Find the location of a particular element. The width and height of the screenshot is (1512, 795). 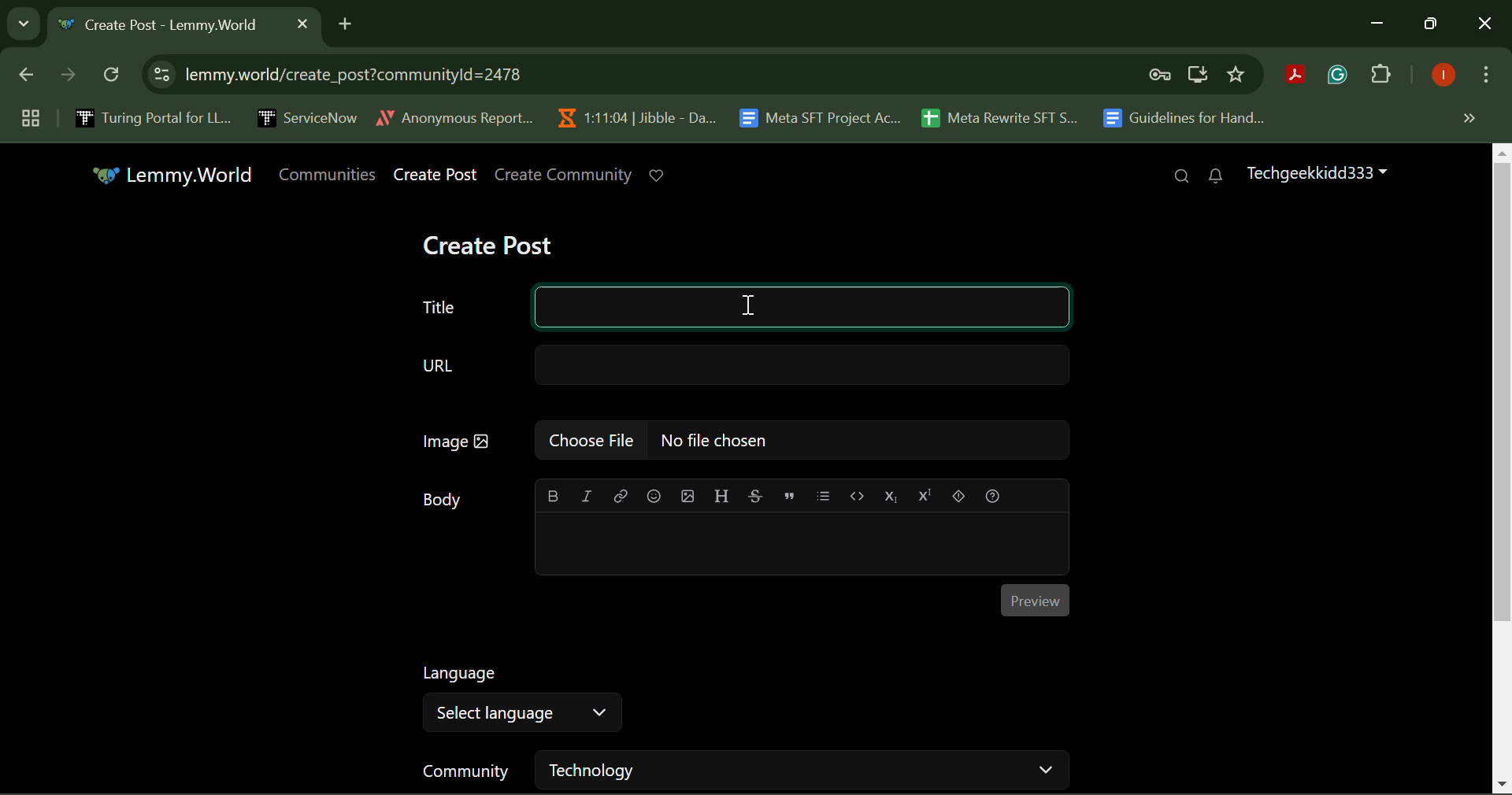

Donate to Lemmy is located at coordinates (658, 176).